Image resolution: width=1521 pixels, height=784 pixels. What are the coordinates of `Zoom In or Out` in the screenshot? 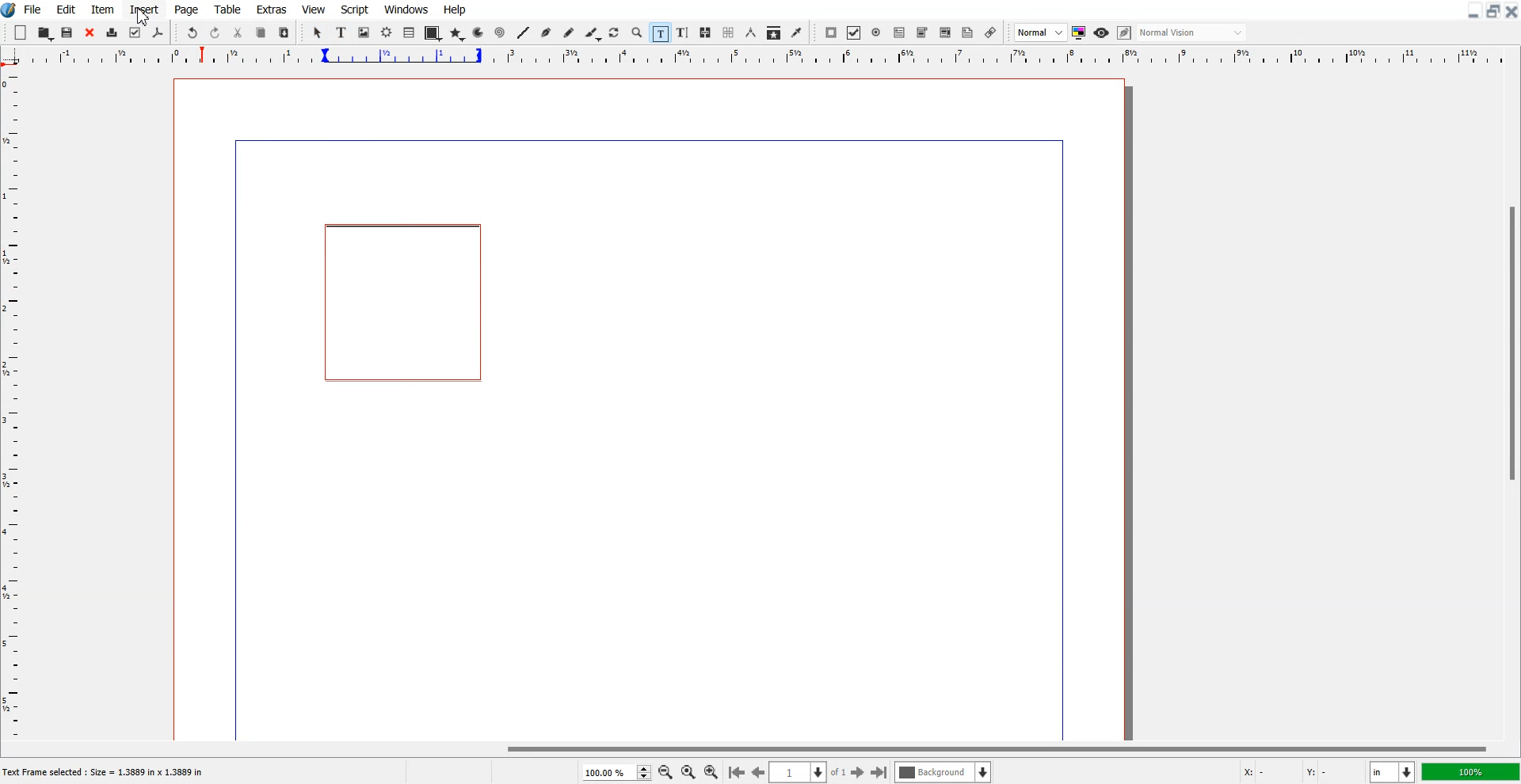 It's located at (637, 32).